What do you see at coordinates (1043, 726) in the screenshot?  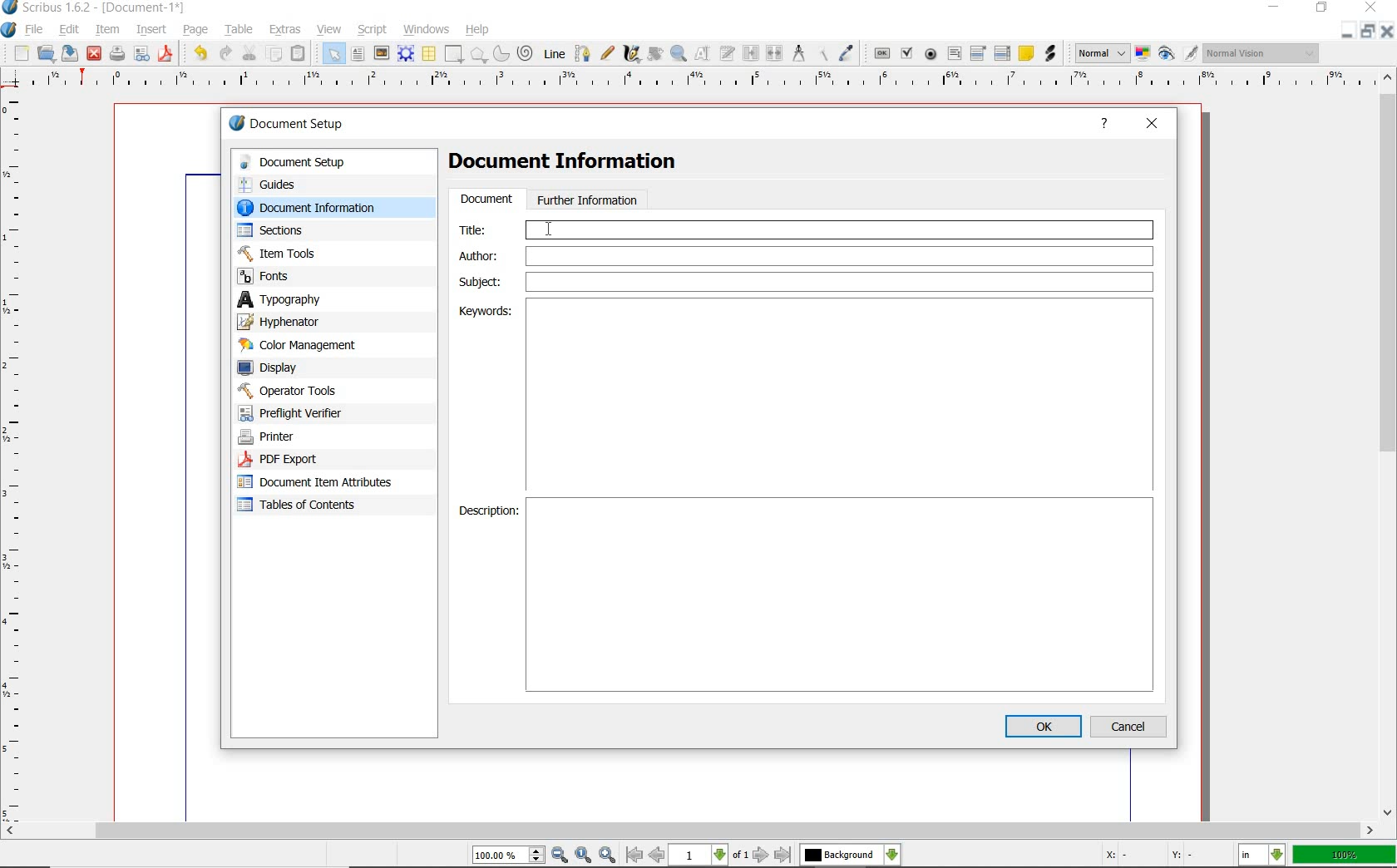 I see `ok` at bounding box center [1043, 726].